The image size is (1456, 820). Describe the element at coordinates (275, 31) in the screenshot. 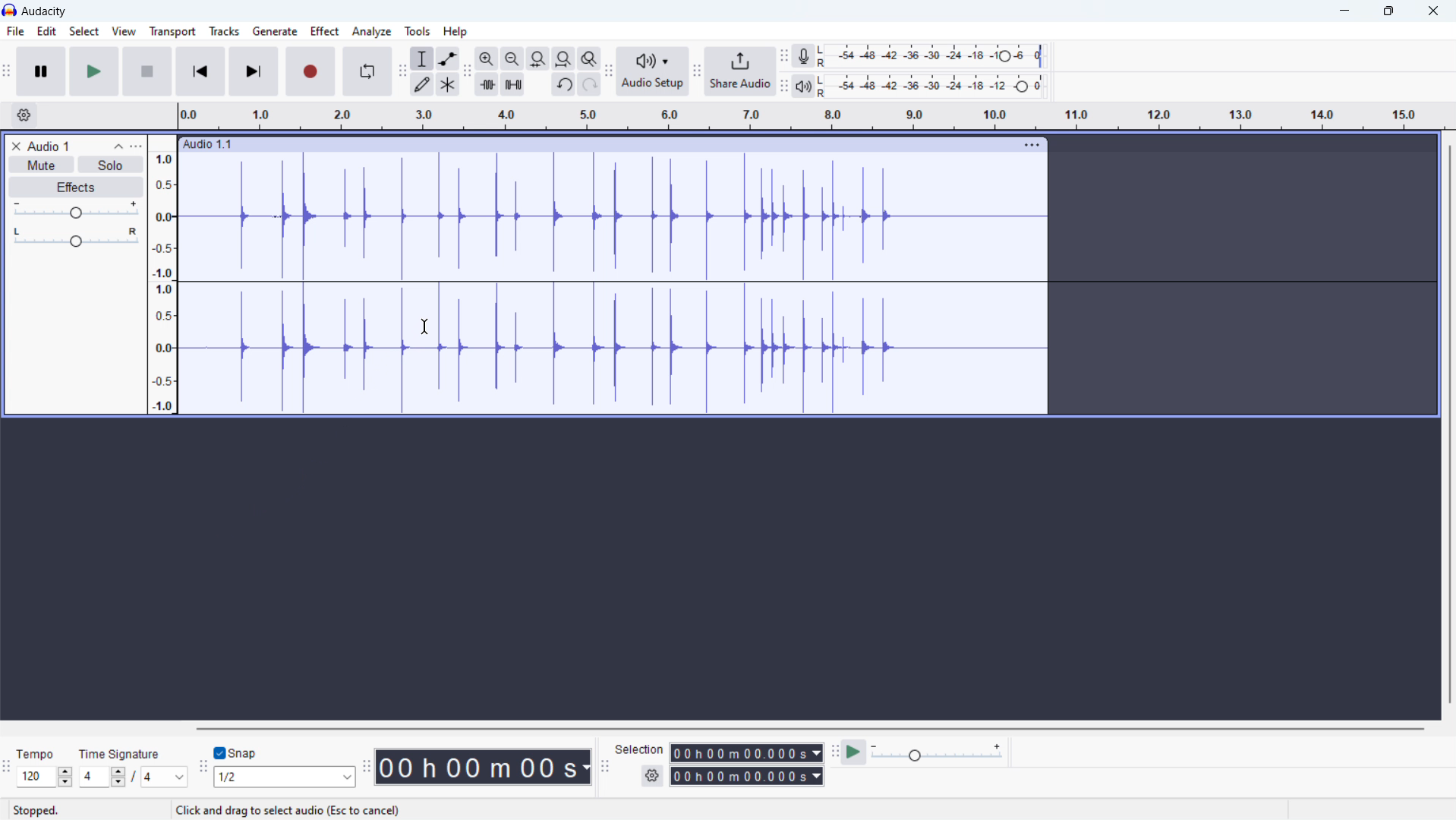

I see `generate` at that location.